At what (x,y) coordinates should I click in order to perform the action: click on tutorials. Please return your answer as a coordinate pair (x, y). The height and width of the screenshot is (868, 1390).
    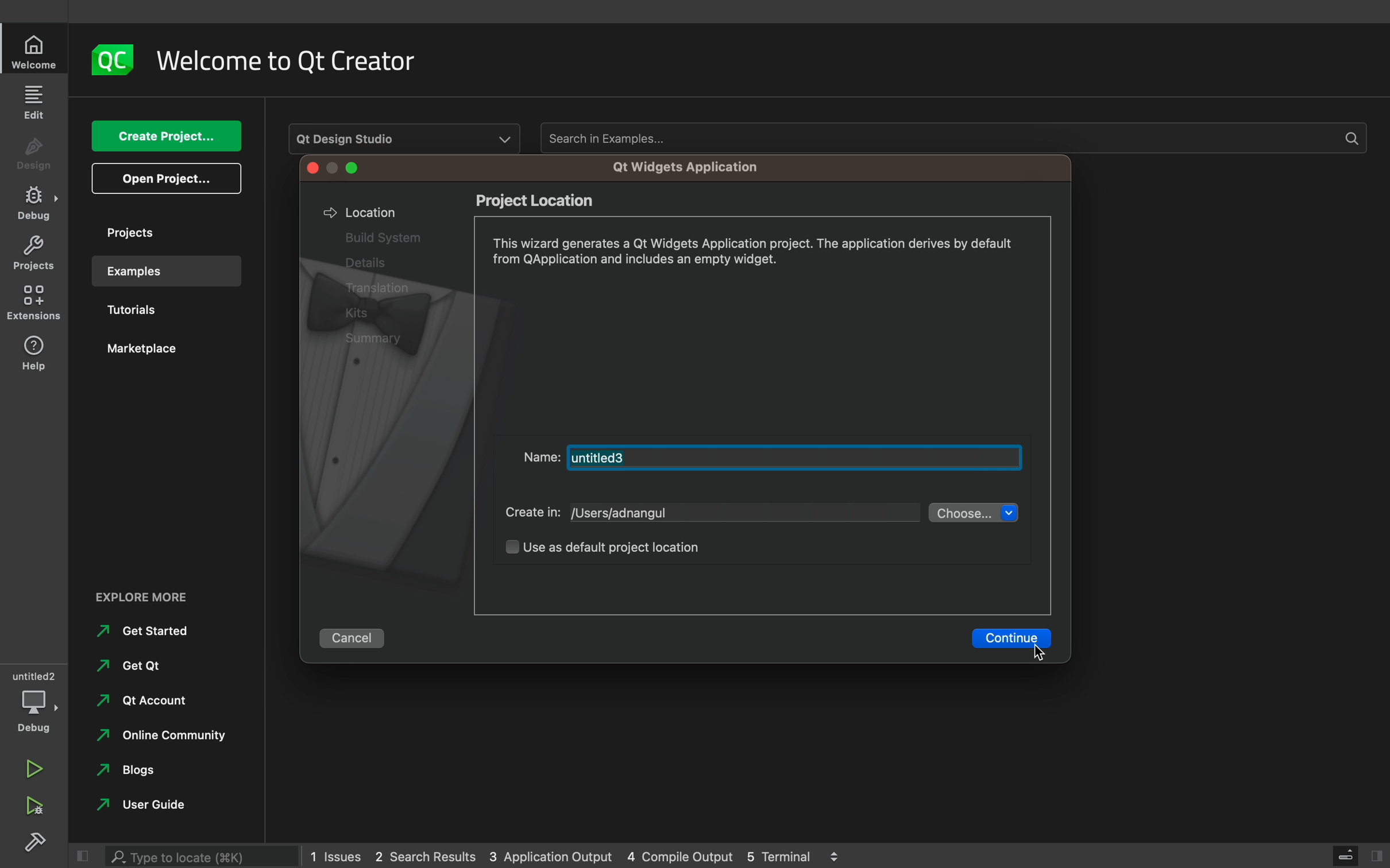
    Looking at the image, I should click on (155, 312).